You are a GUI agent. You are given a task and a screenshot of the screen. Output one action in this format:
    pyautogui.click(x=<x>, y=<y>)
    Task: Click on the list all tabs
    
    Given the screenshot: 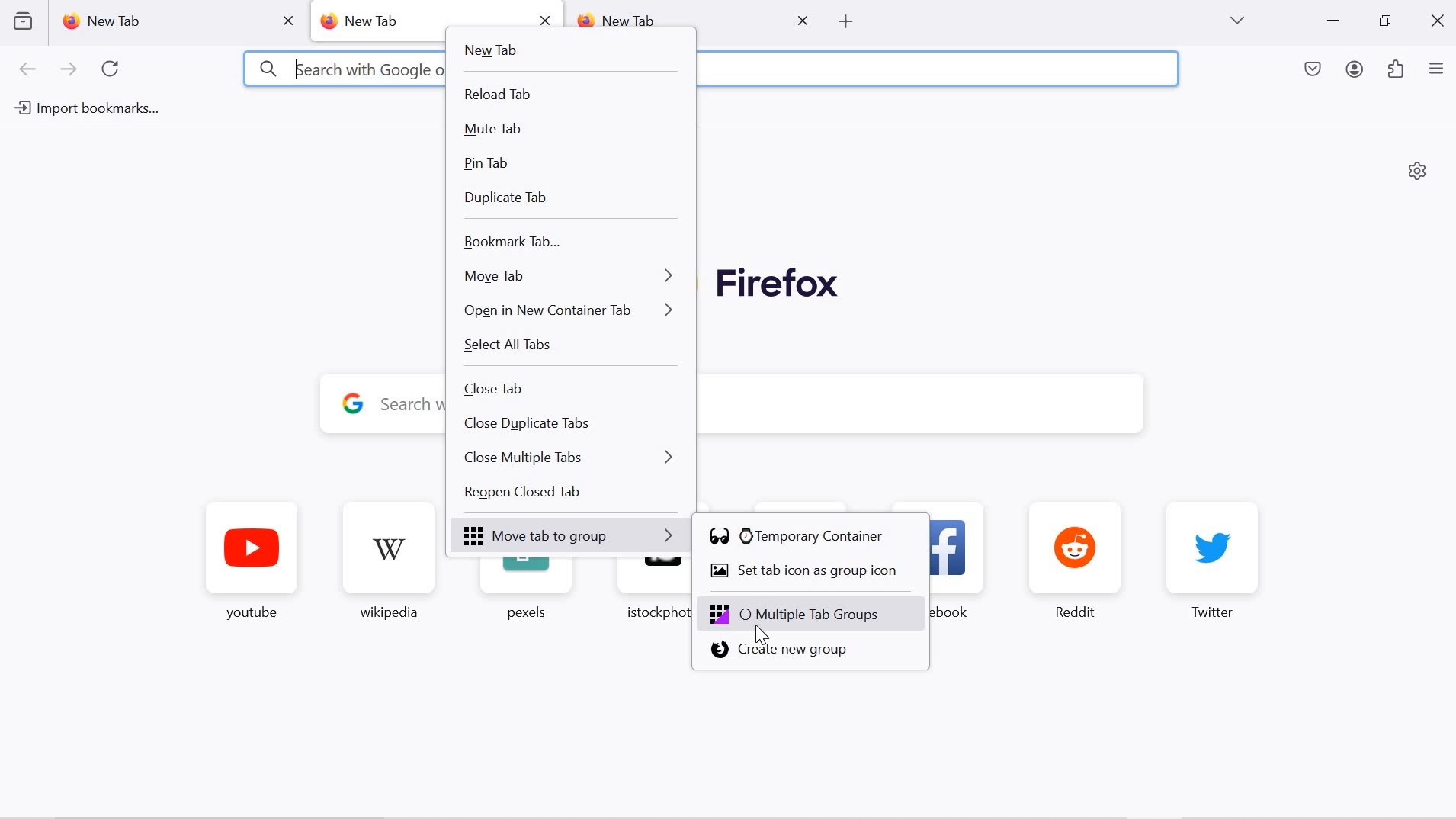 What is the action you would take?
    pyautogui.click(x=1236, y=21)
    